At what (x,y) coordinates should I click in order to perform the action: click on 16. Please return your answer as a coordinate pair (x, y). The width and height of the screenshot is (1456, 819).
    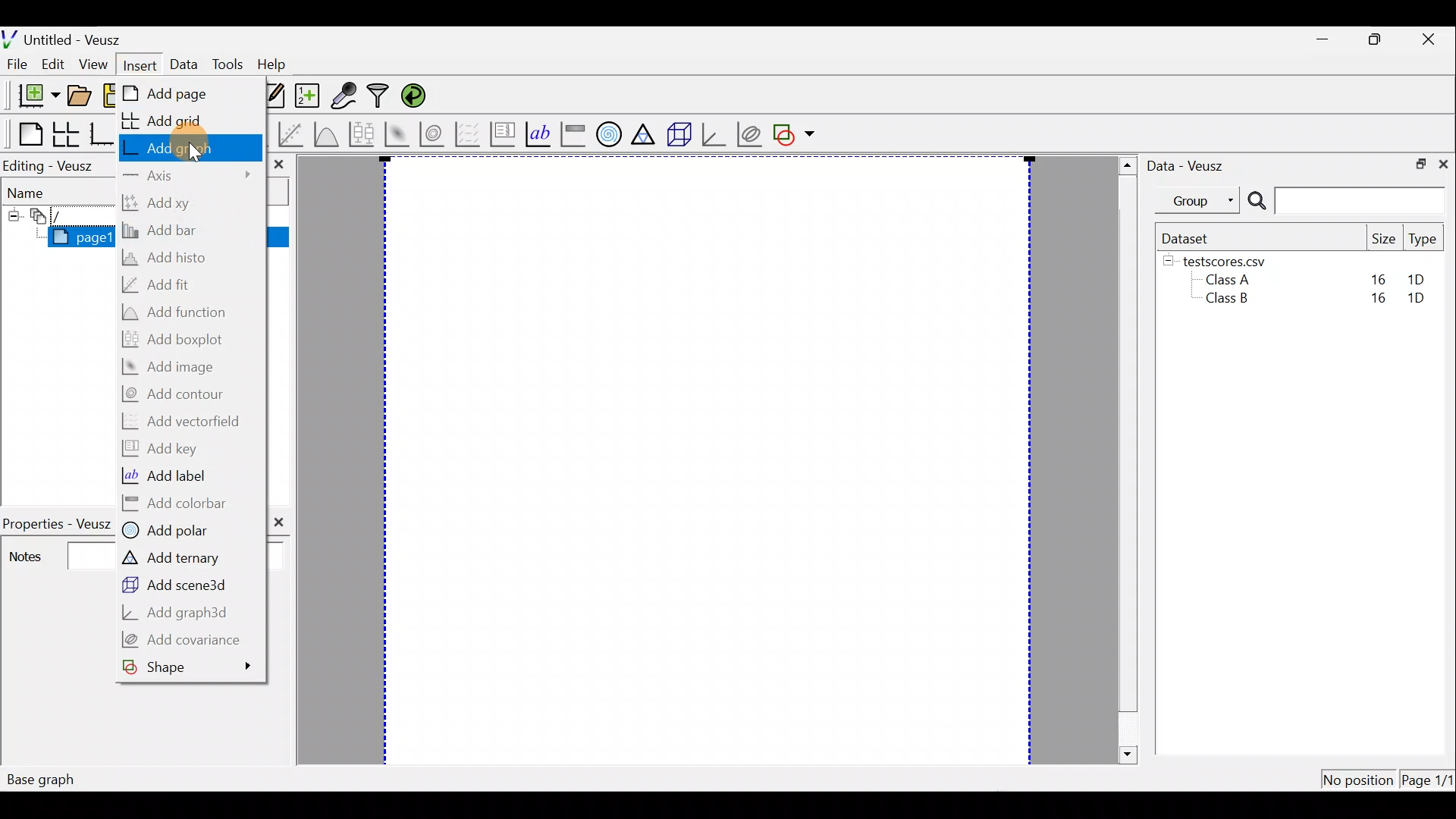
    Looking at the image, I should click on (1375, 302).